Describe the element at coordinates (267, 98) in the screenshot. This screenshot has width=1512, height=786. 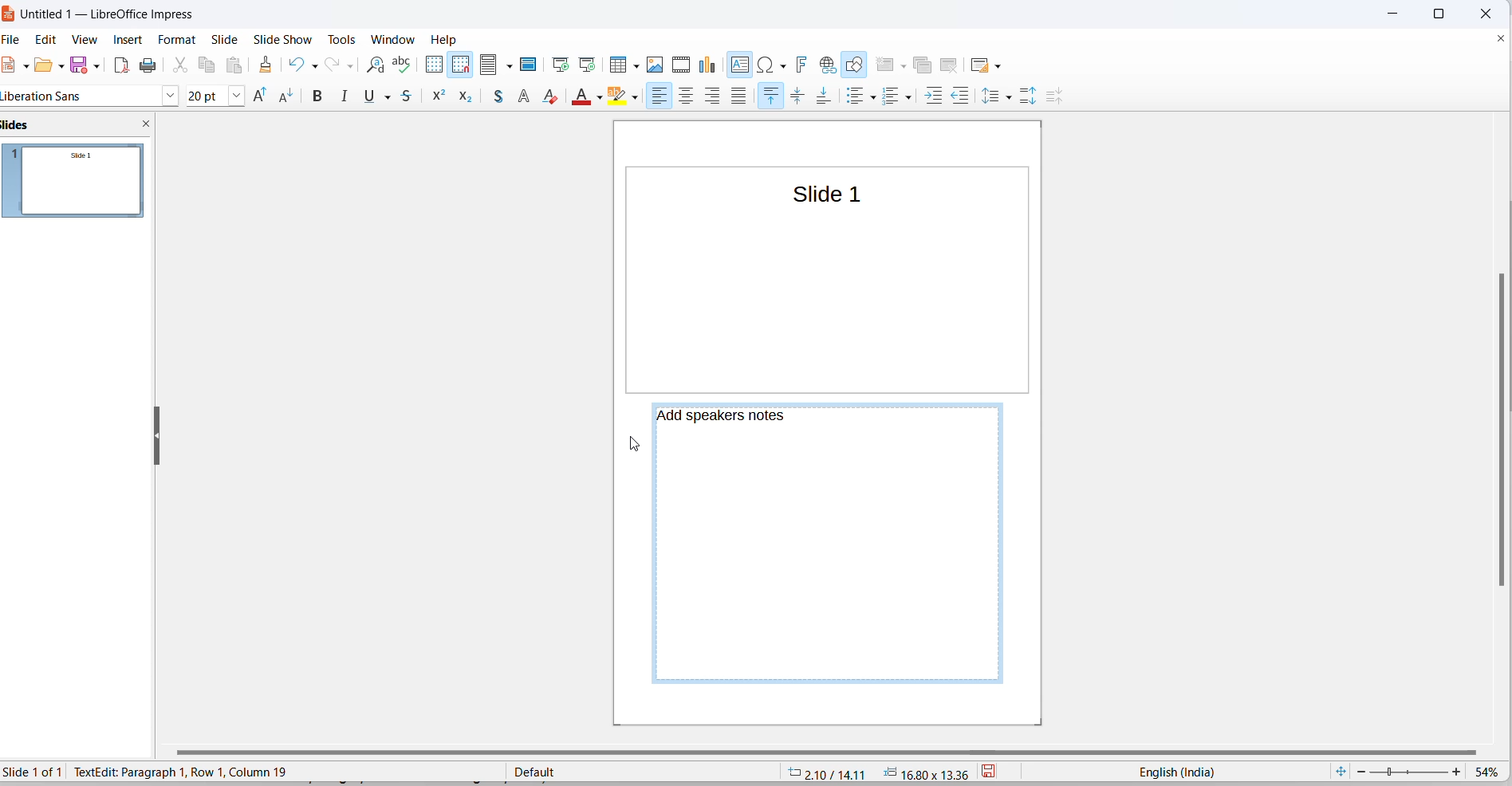
I see `curves and polygons` at that location.